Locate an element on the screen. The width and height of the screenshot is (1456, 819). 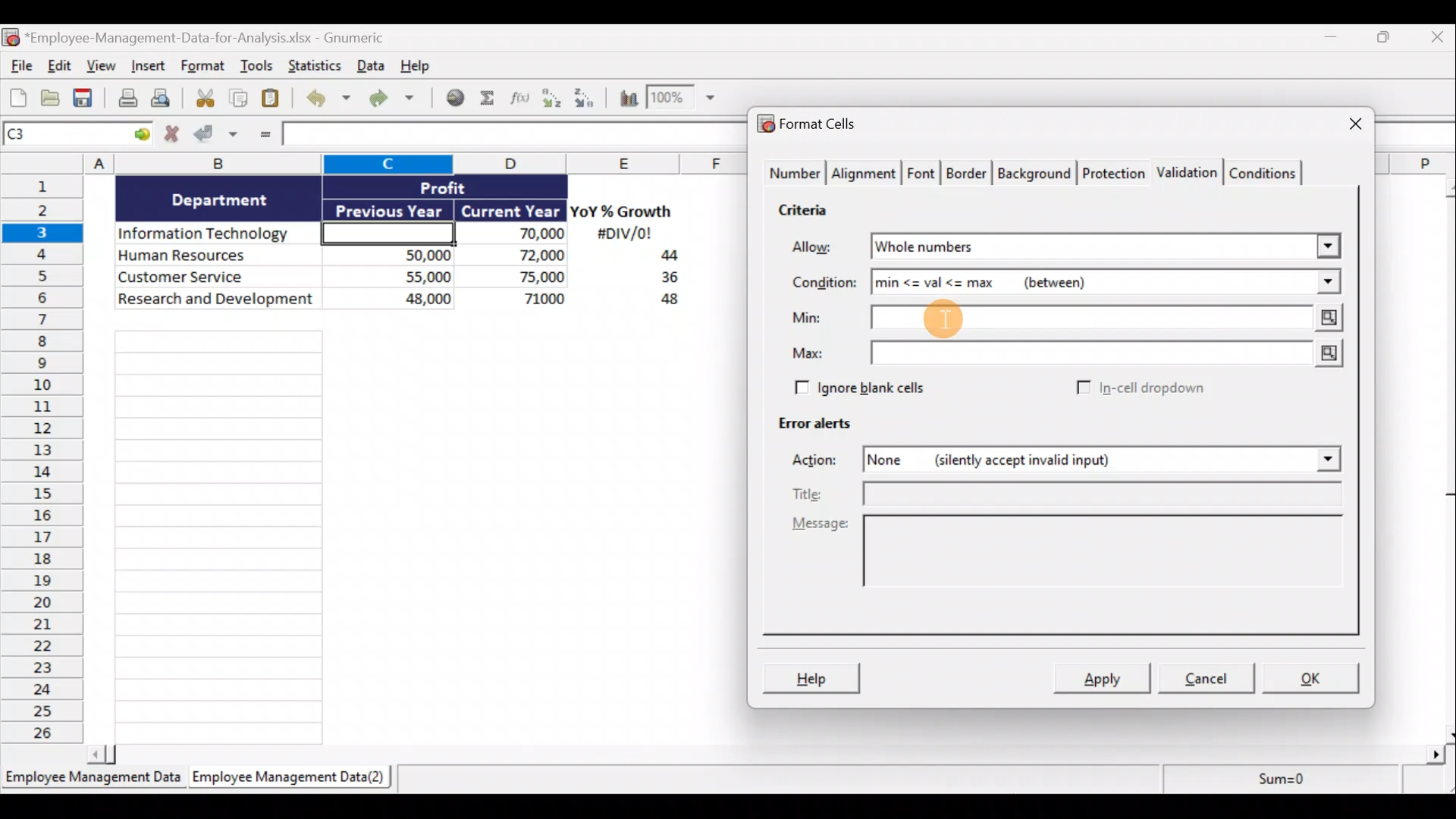
Protection is located at coordinates (1113, 171).